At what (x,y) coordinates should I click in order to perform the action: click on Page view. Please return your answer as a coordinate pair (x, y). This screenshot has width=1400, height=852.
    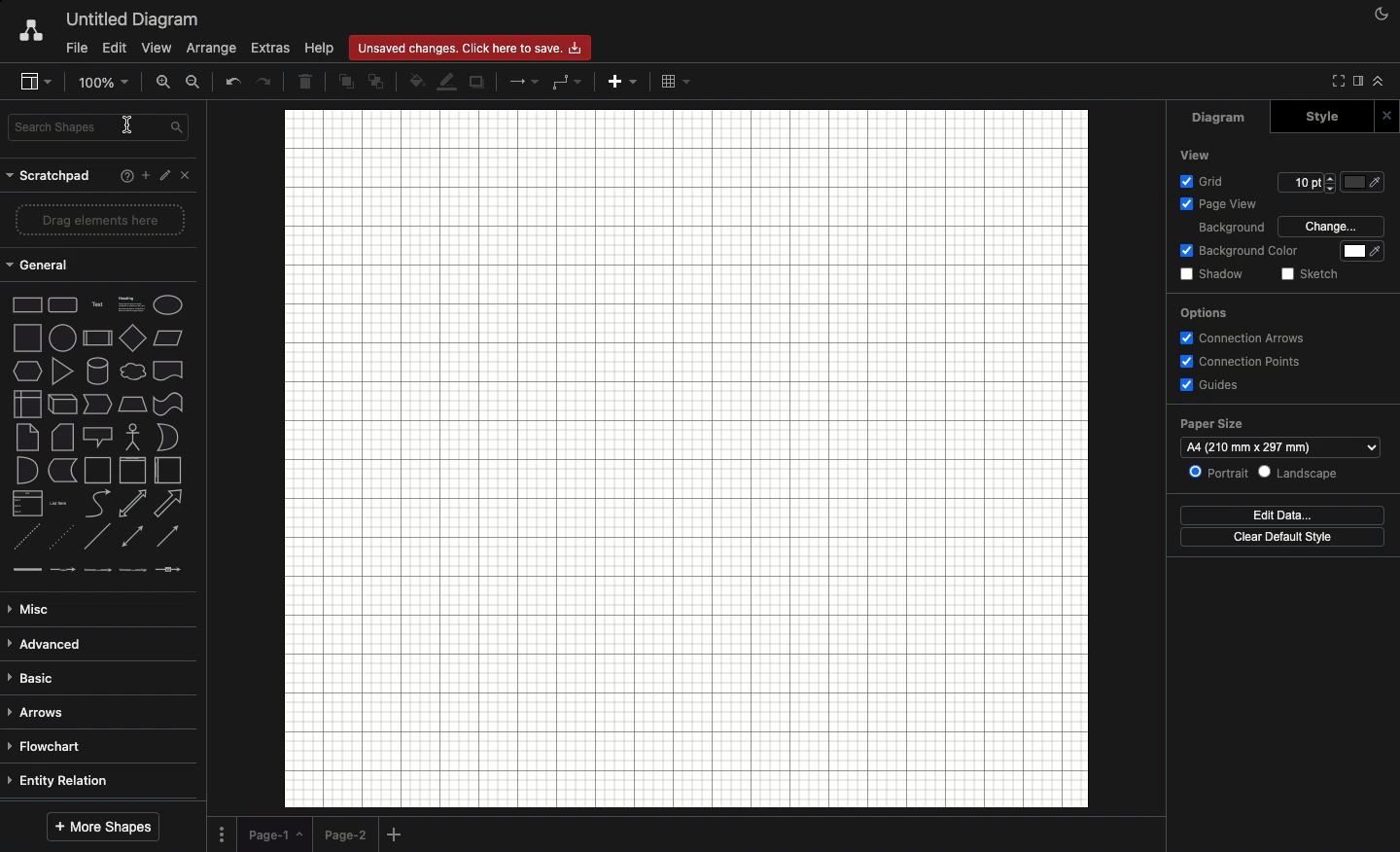
    Looking at the image, I should click on (1217, 203).